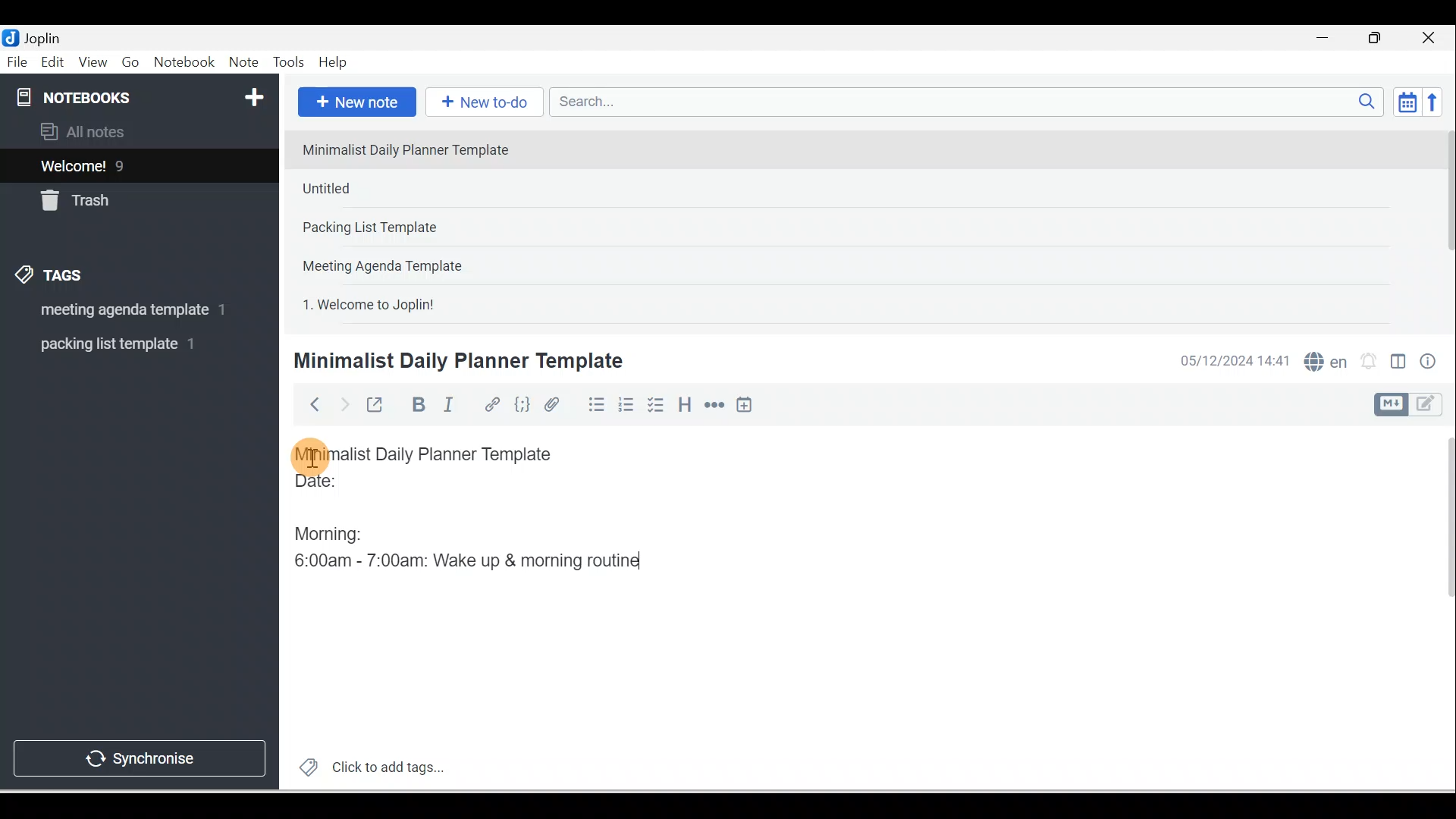 Image resolution: width=1456 pixels, height=819 pixels. I want to click on Note 4, so click(403, 262).